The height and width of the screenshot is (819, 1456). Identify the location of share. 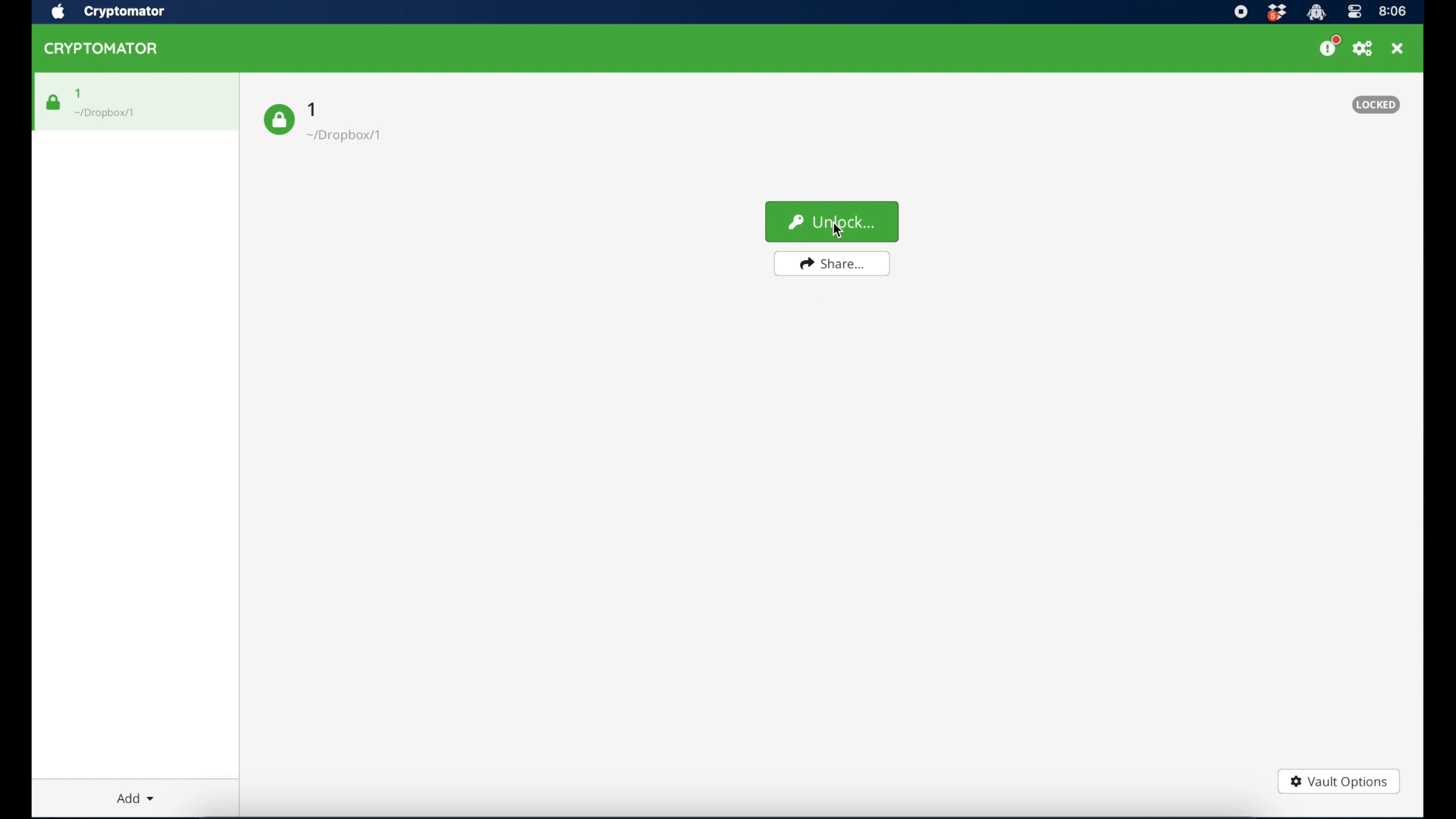
(832, 264).